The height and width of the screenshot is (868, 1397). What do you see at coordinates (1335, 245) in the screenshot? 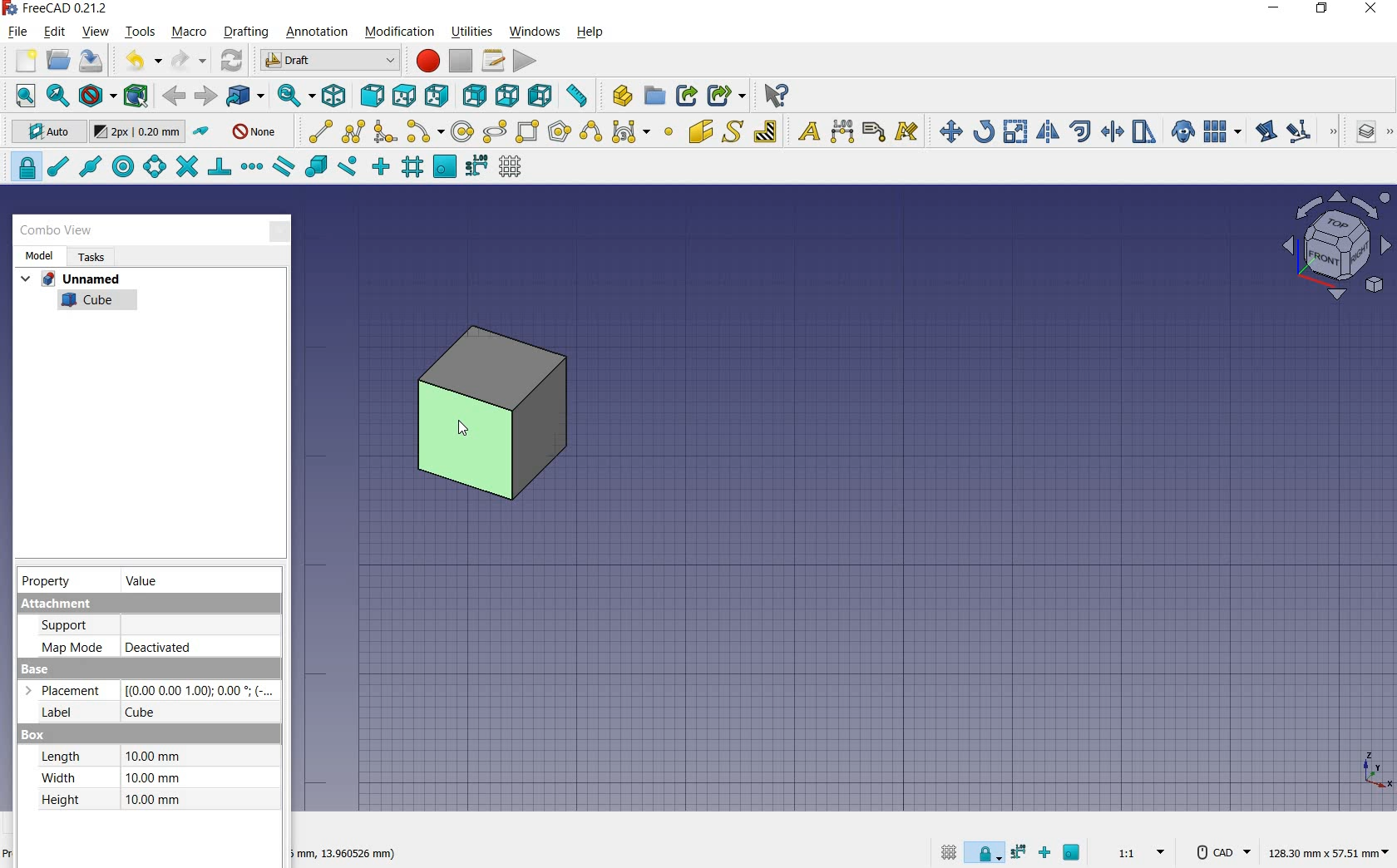
I see `view plane options` at bounding box center [1335, 245].